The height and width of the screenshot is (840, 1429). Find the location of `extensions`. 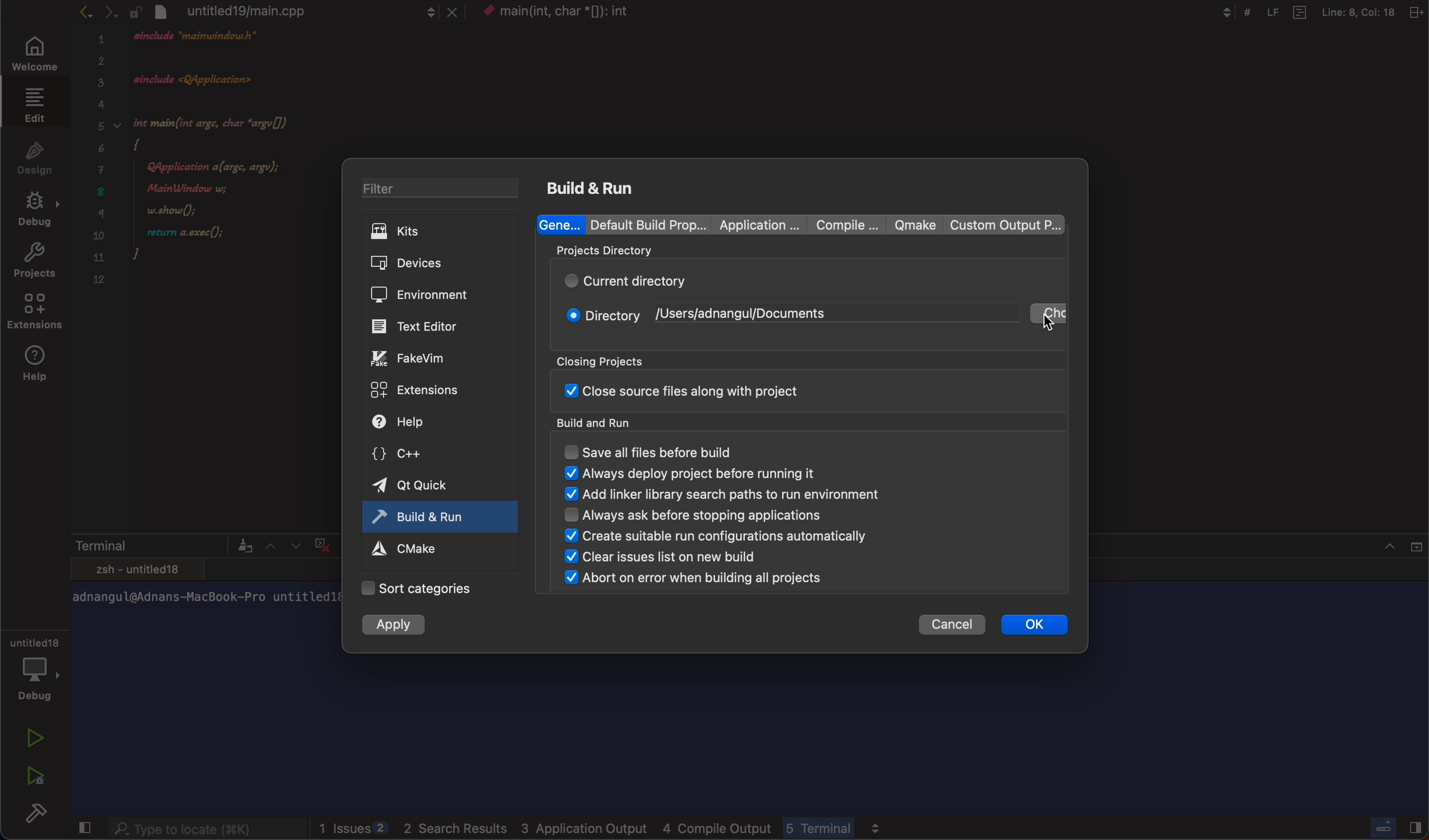

extensions is located at coordinates (33, 310).